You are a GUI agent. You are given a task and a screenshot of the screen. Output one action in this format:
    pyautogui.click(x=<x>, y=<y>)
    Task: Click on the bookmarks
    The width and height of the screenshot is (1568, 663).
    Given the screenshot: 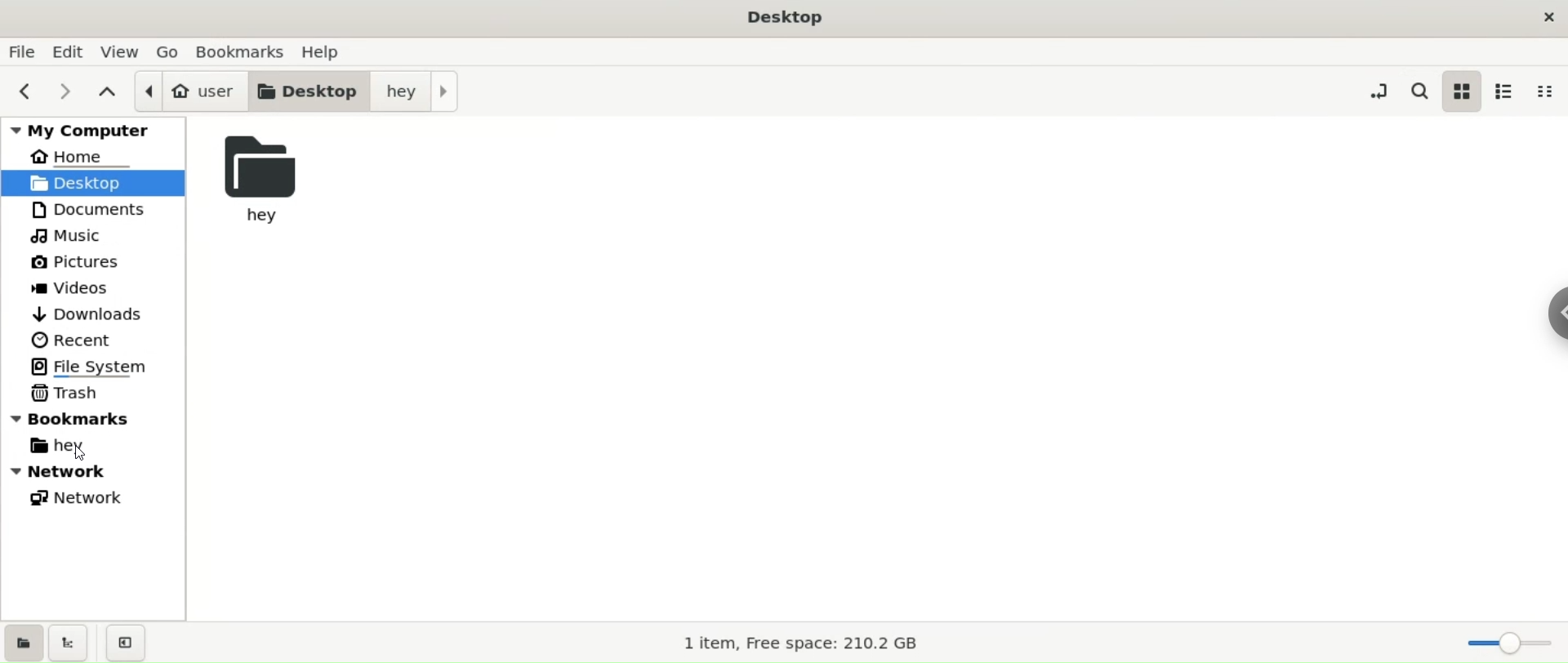 What is the action you would take?
    pyautogui.click(x=98, y=421)
    